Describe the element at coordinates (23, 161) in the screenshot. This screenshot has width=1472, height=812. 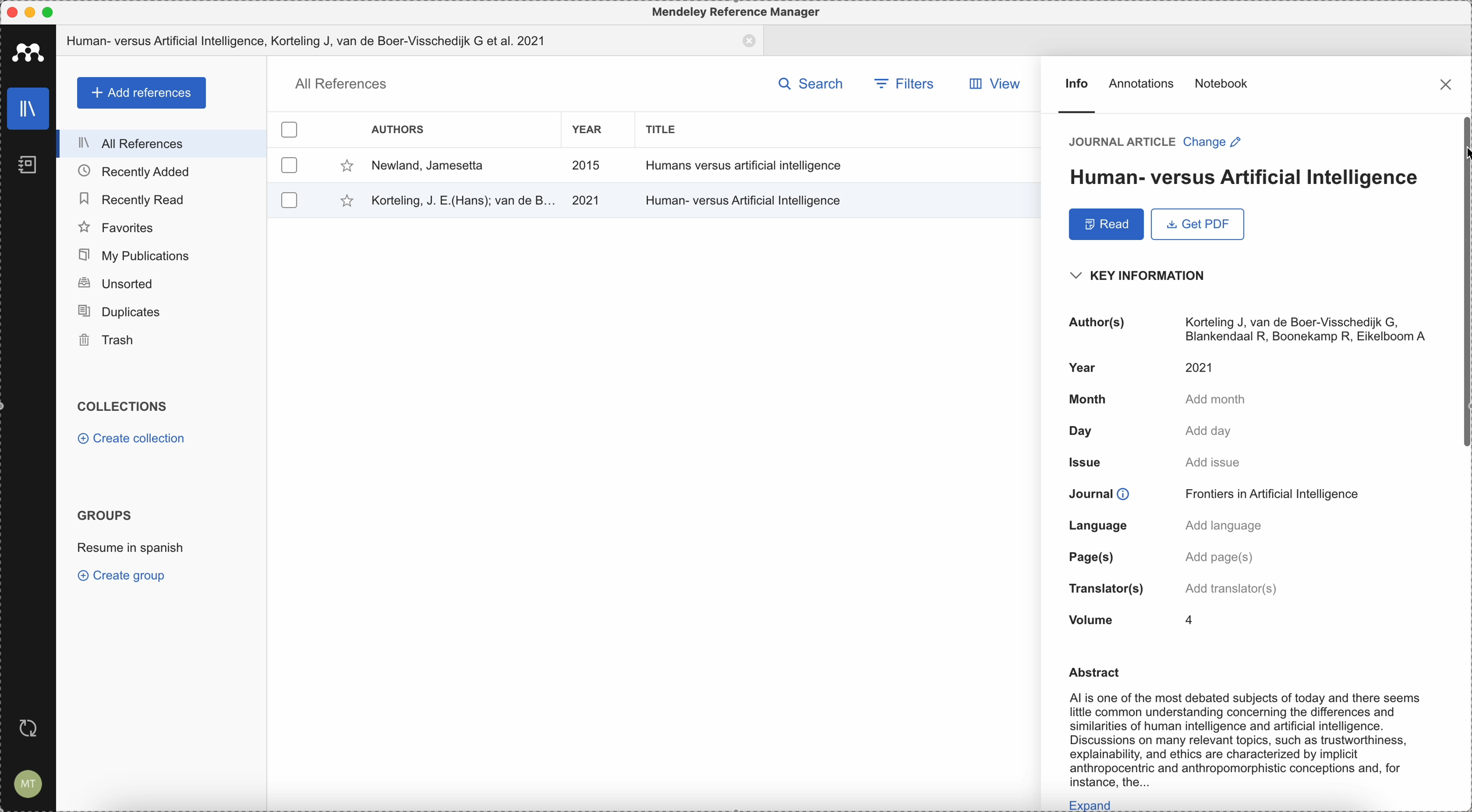
I see `notebooks` at that location.